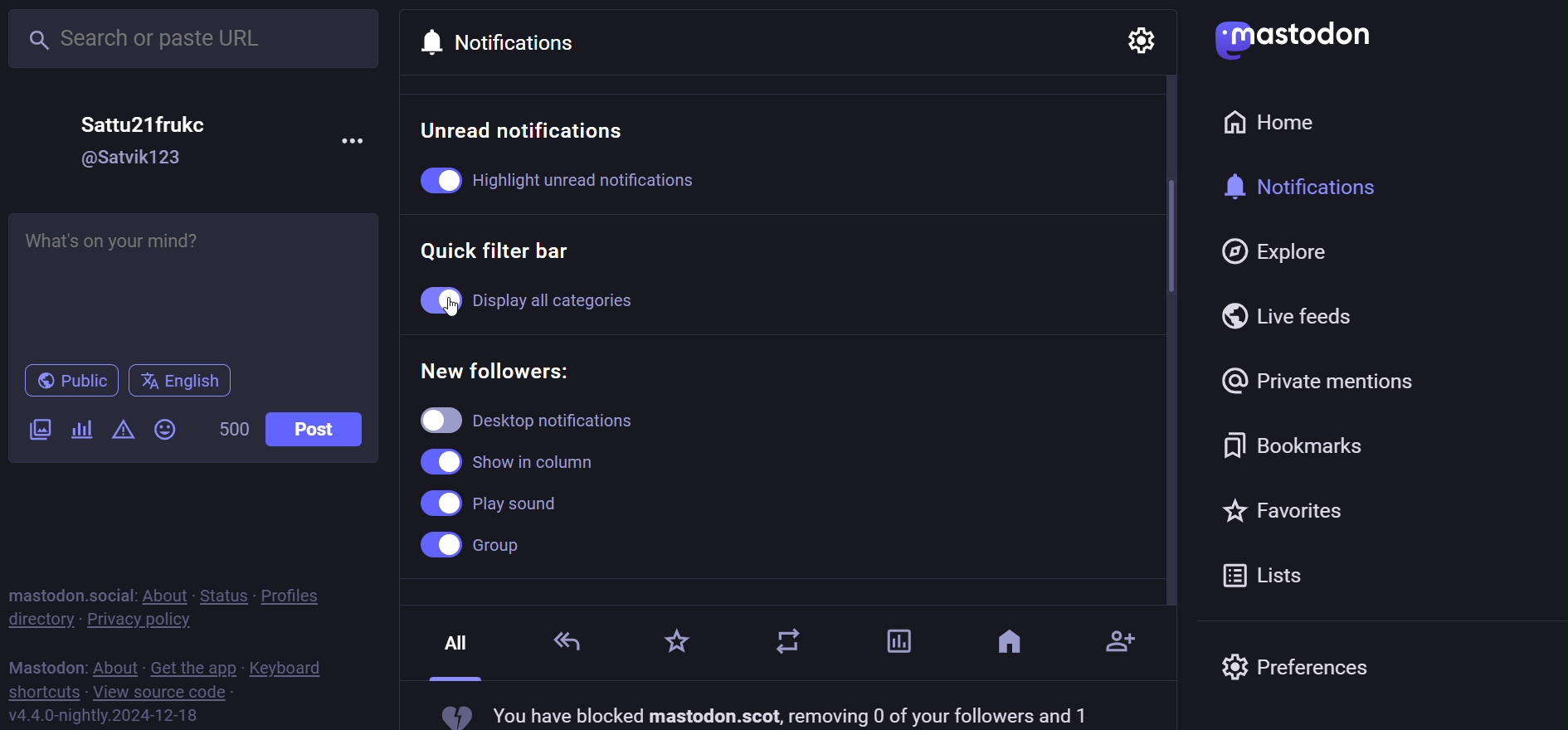 The height and width of the screenshot is (730, 1568). Describe the element at coordinates (1265, 573) in the screenshot. I see `list` at that location.